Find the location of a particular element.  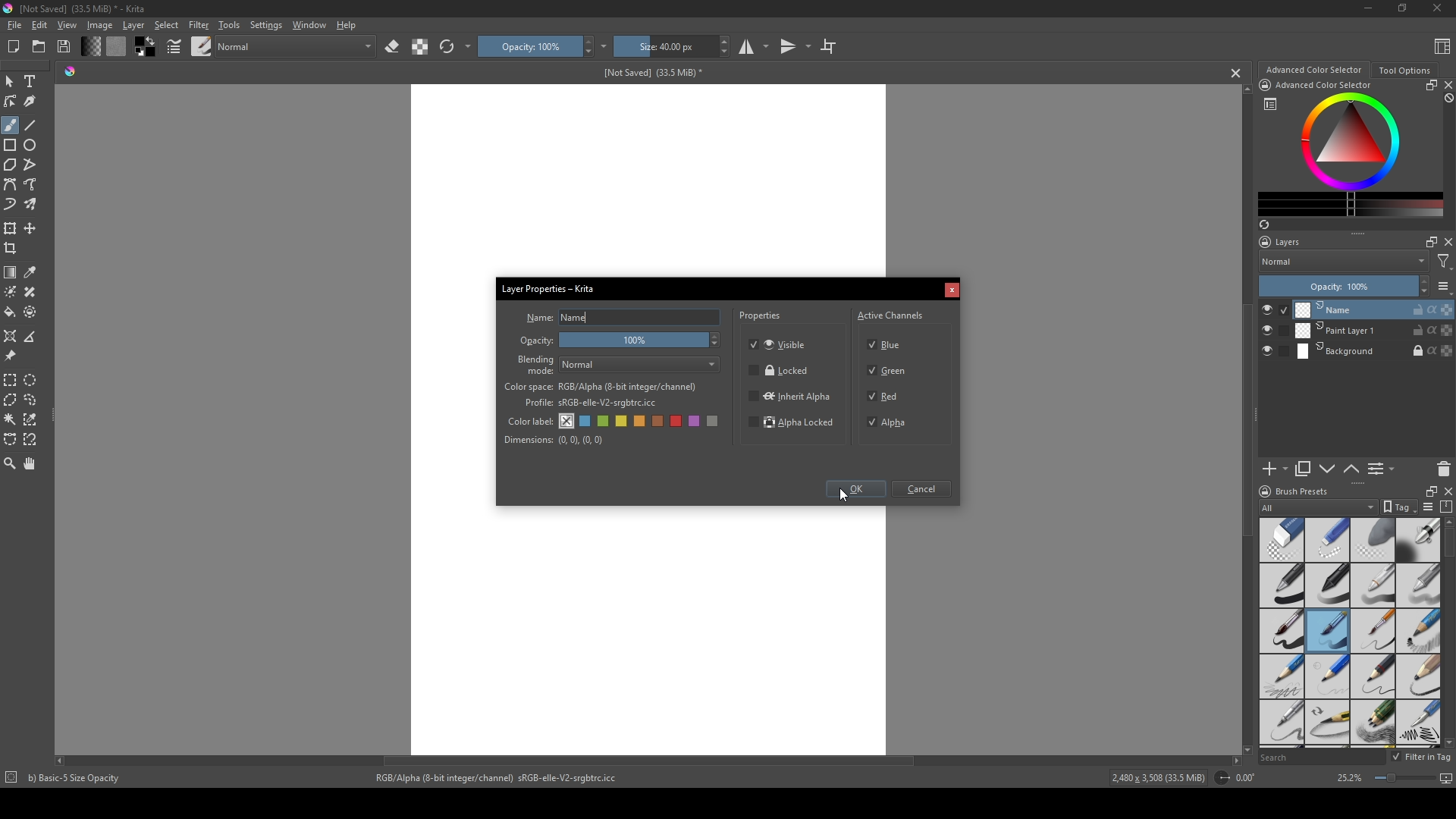

Profile: sRGB-elle-V2-srgbtrc.icc is located at coordinates (591, 403).